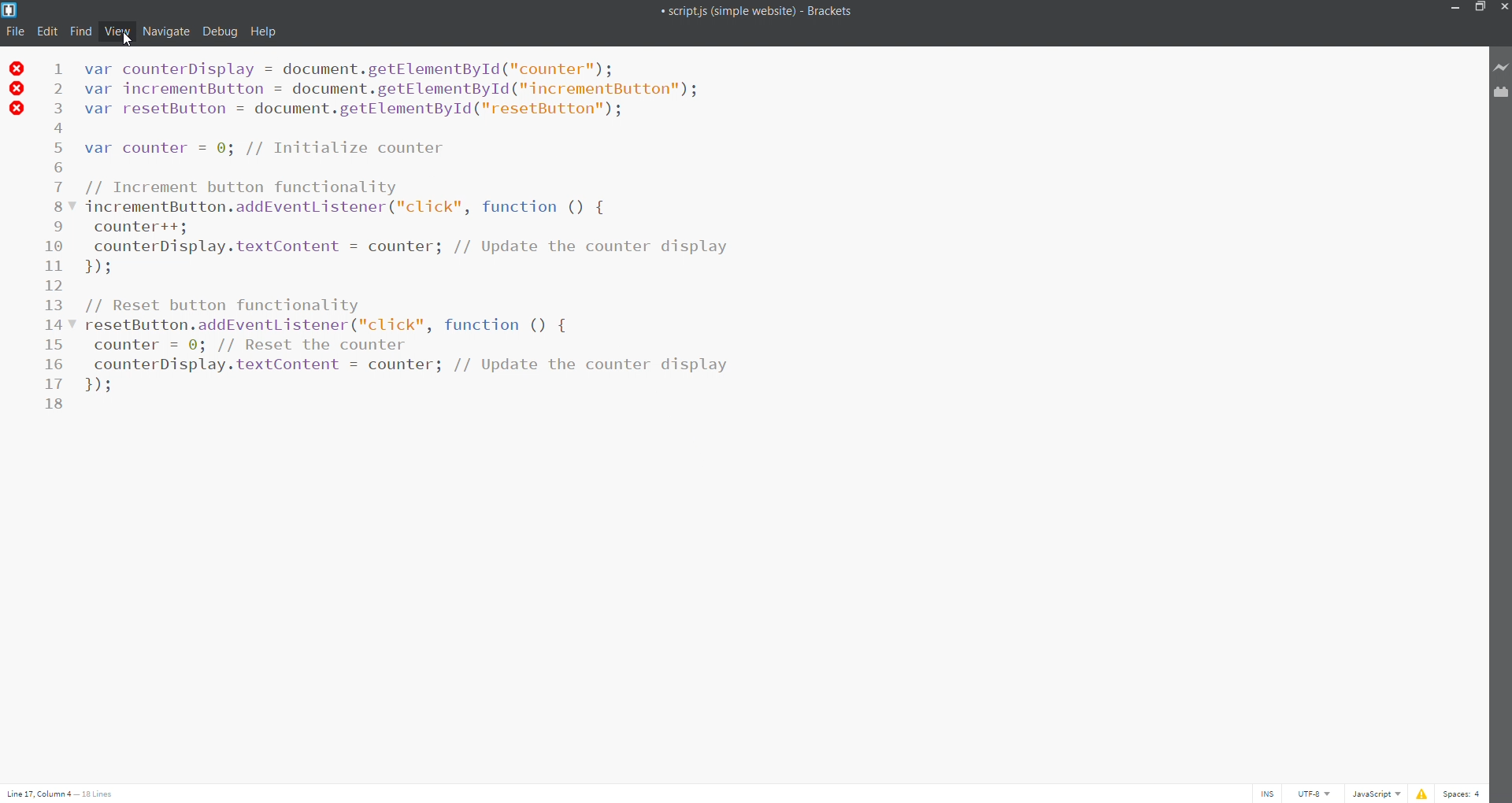 The width and height of the screenshot is (1512, 803). Describe the element at coordinates (264, 31) in the screenshot. I see `help` at that location.